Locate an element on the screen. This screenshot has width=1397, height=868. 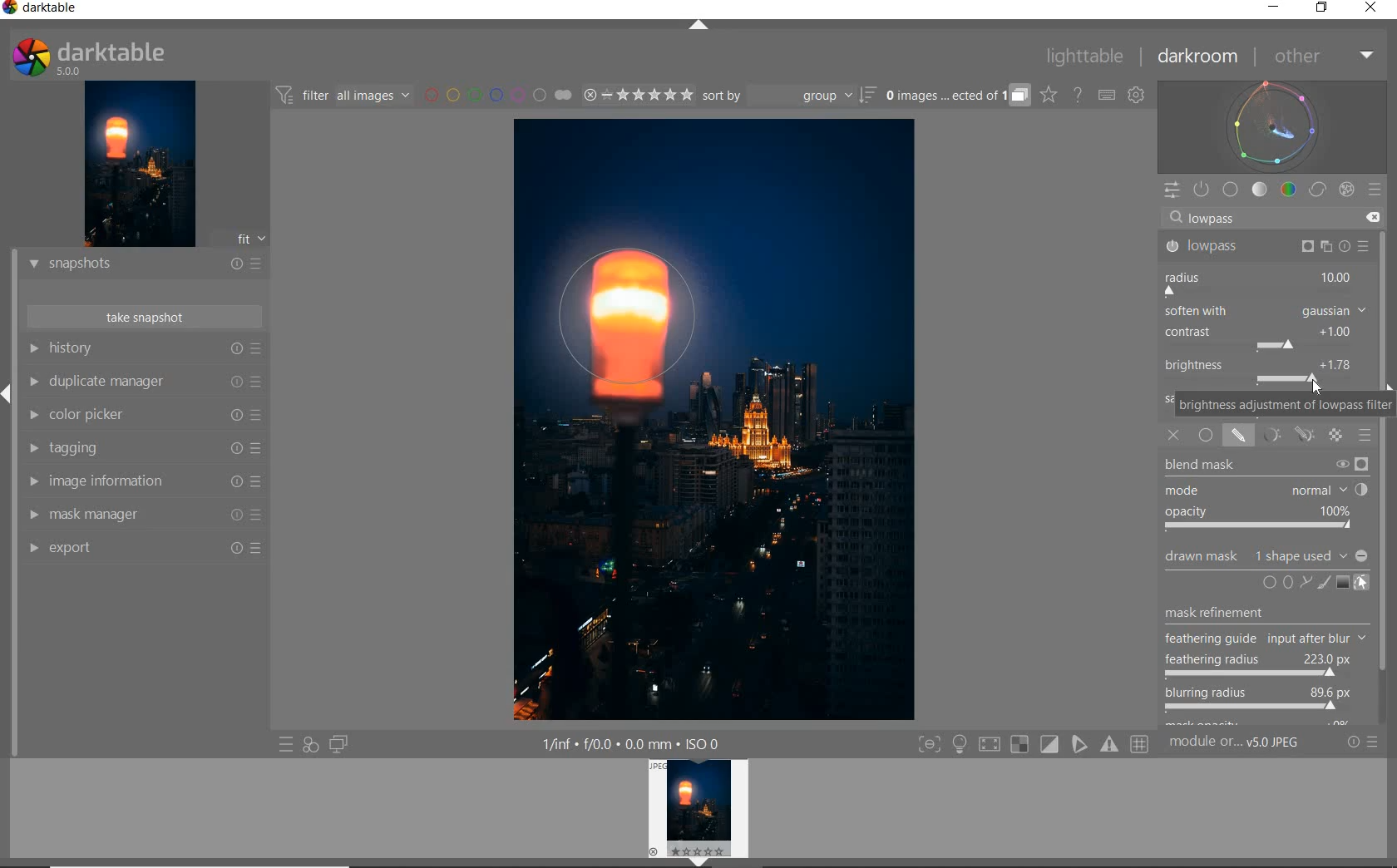
FILTER BY IMAGE COLOR LABEL is located at coordinates (498, 96).